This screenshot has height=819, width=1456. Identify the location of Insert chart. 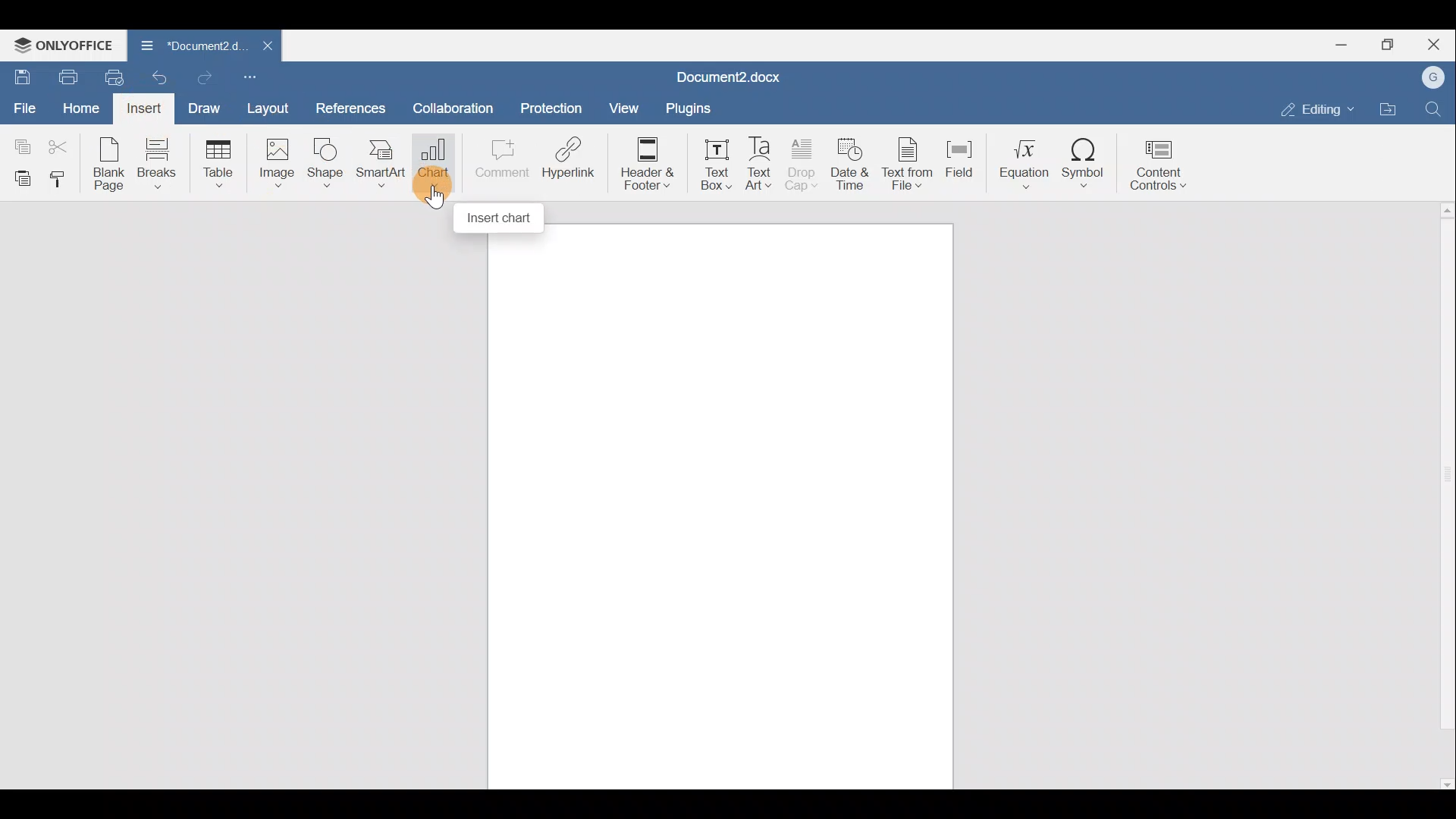
(500, 218).